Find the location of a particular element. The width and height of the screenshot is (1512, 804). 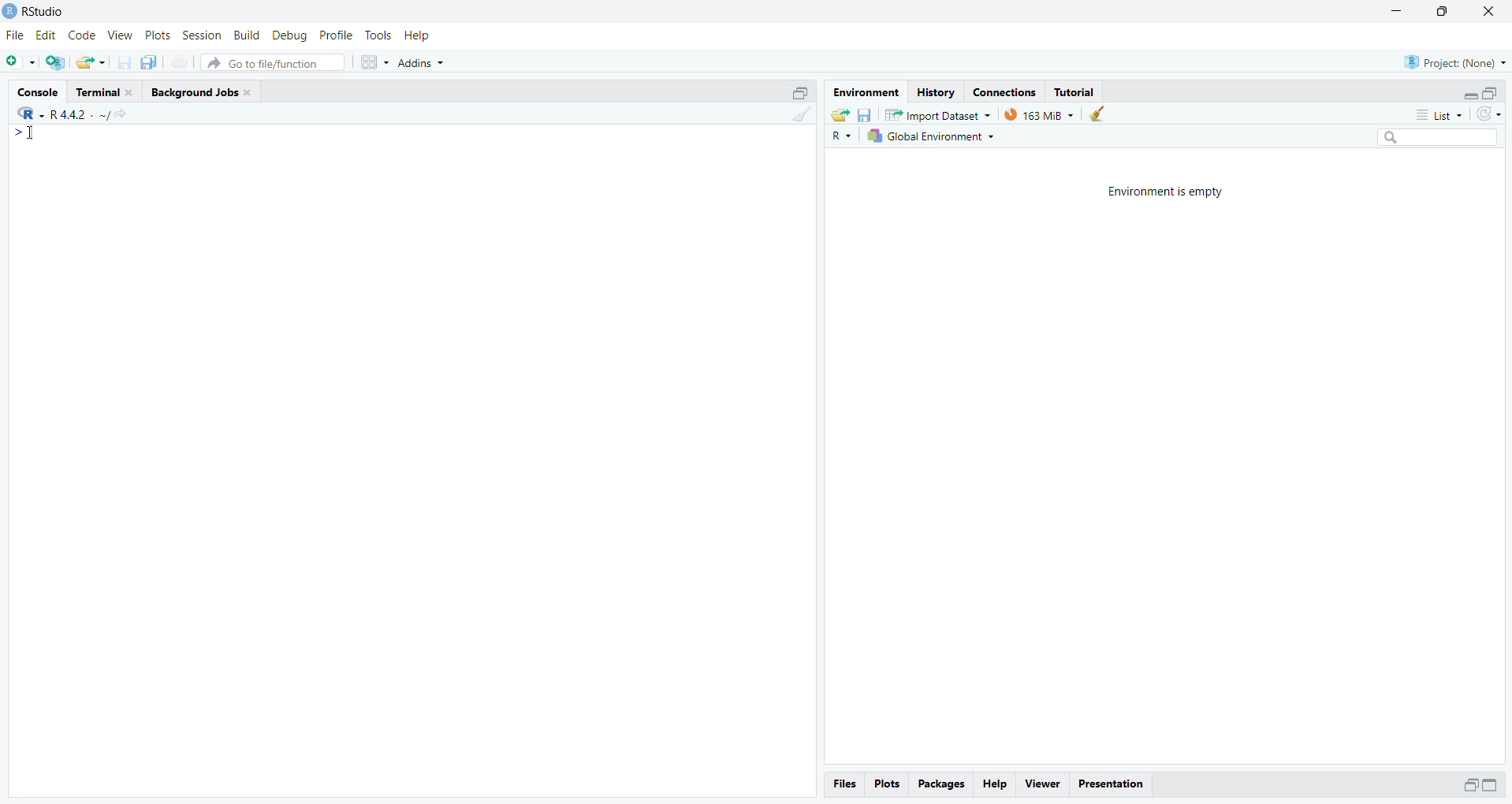

History is located at coordinates (938, 93).